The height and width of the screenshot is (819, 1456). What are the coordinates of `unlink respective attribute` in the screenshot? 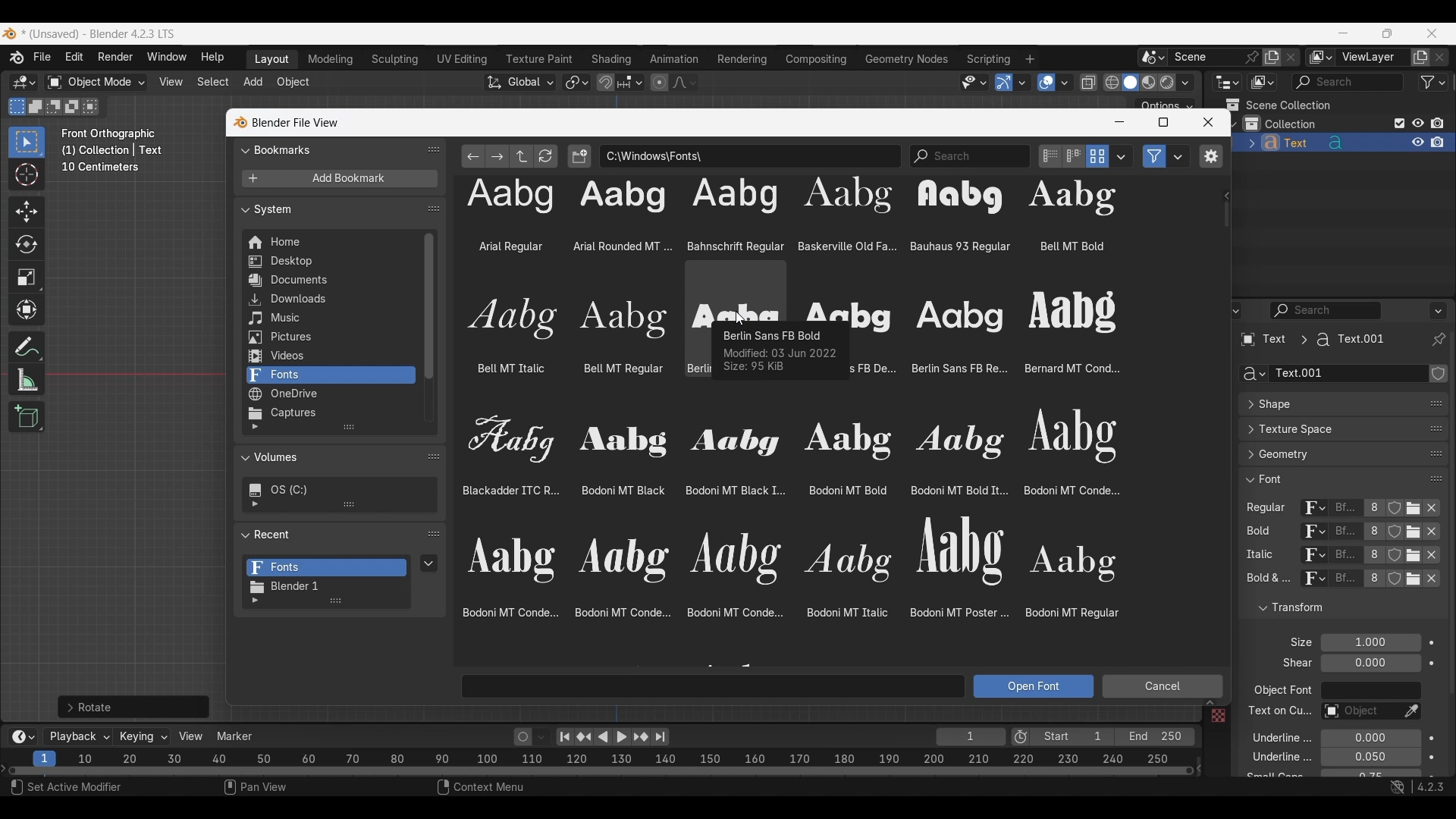 It's located at (1424, 582).